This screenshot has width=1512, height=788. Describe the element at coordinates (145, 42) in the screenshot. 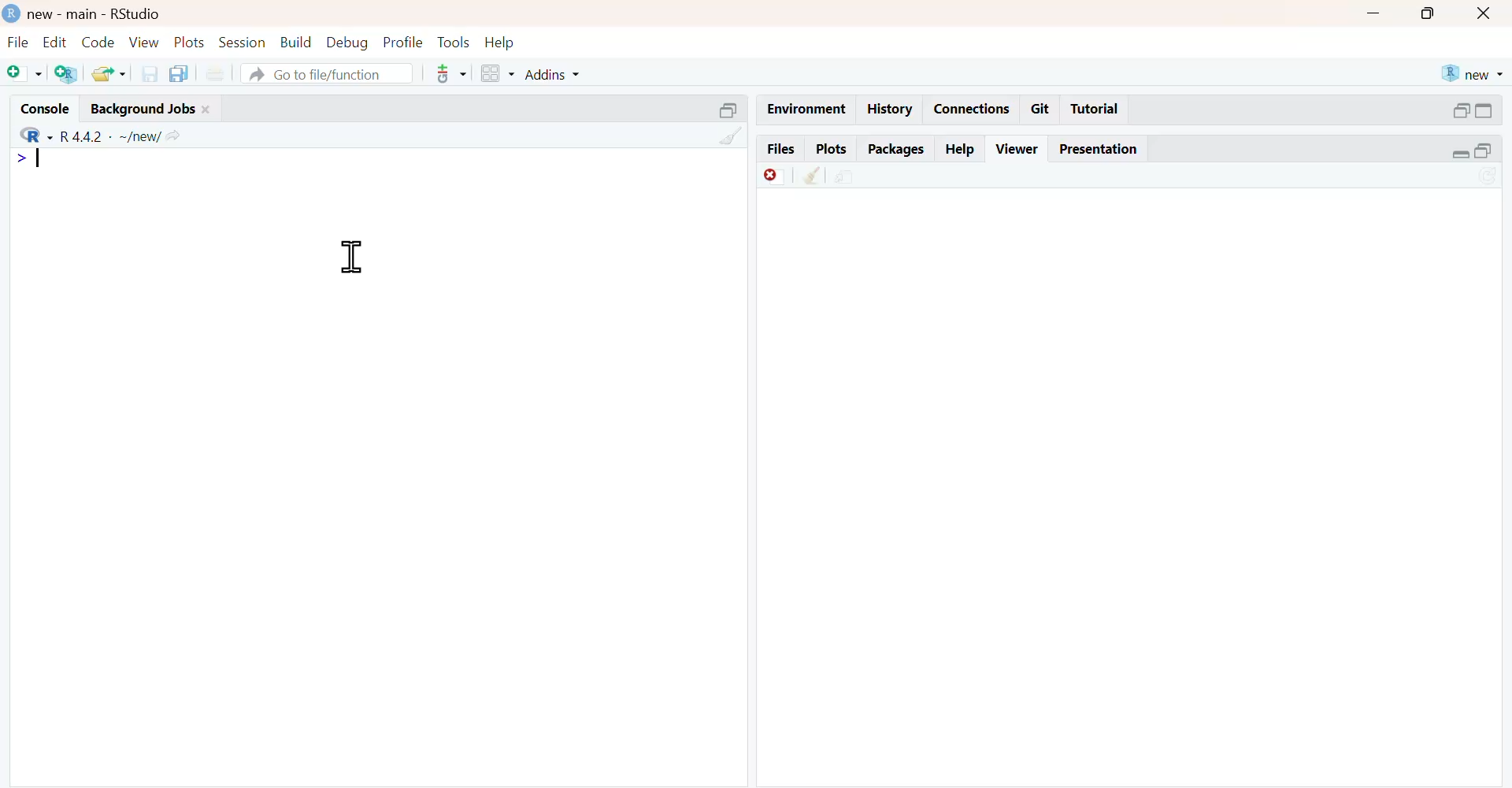

I see `view` at that location.